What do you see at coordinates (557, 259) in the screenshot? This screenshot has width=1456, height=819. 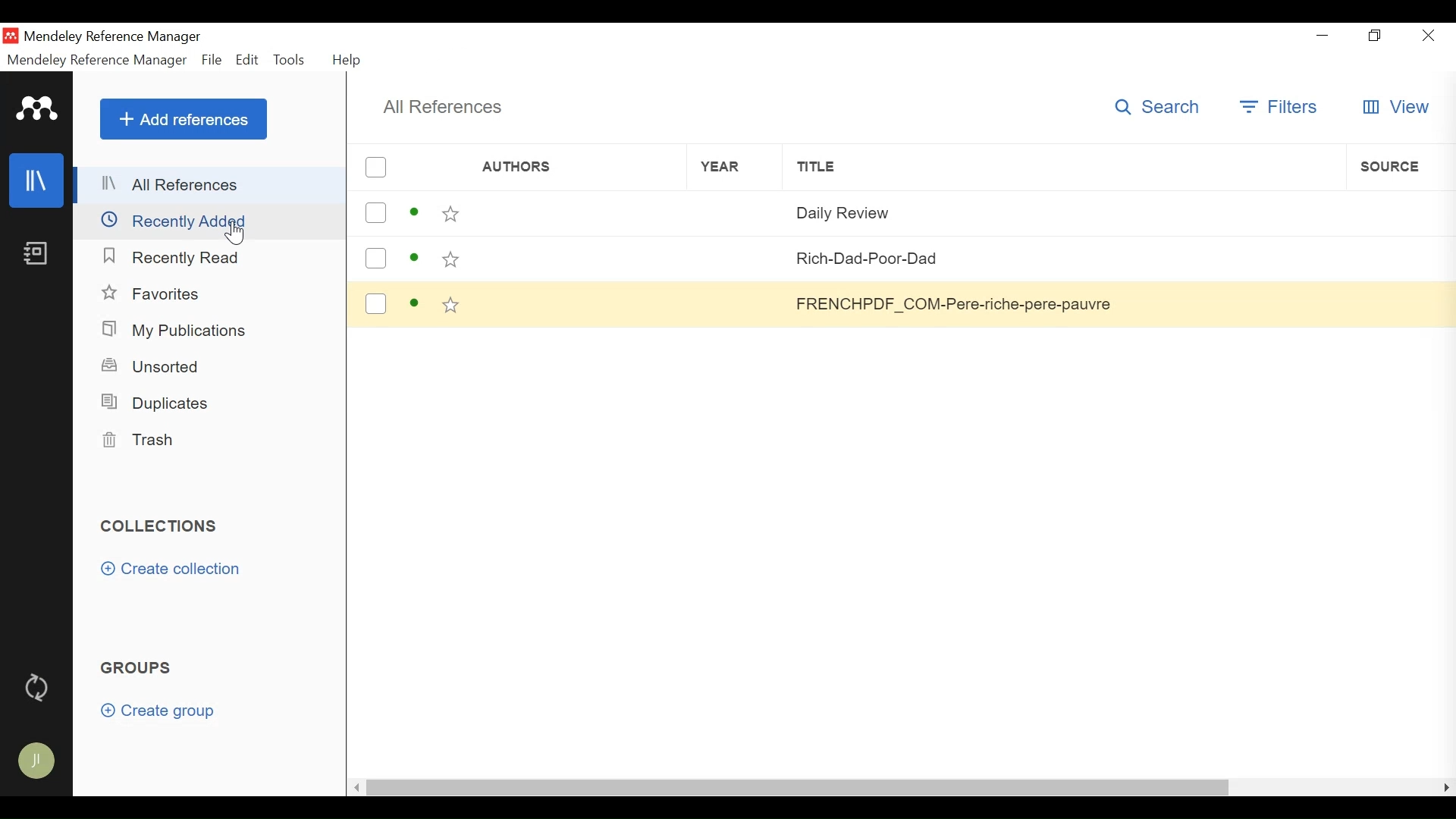 I see `Author` at bounding box center [557, 259].